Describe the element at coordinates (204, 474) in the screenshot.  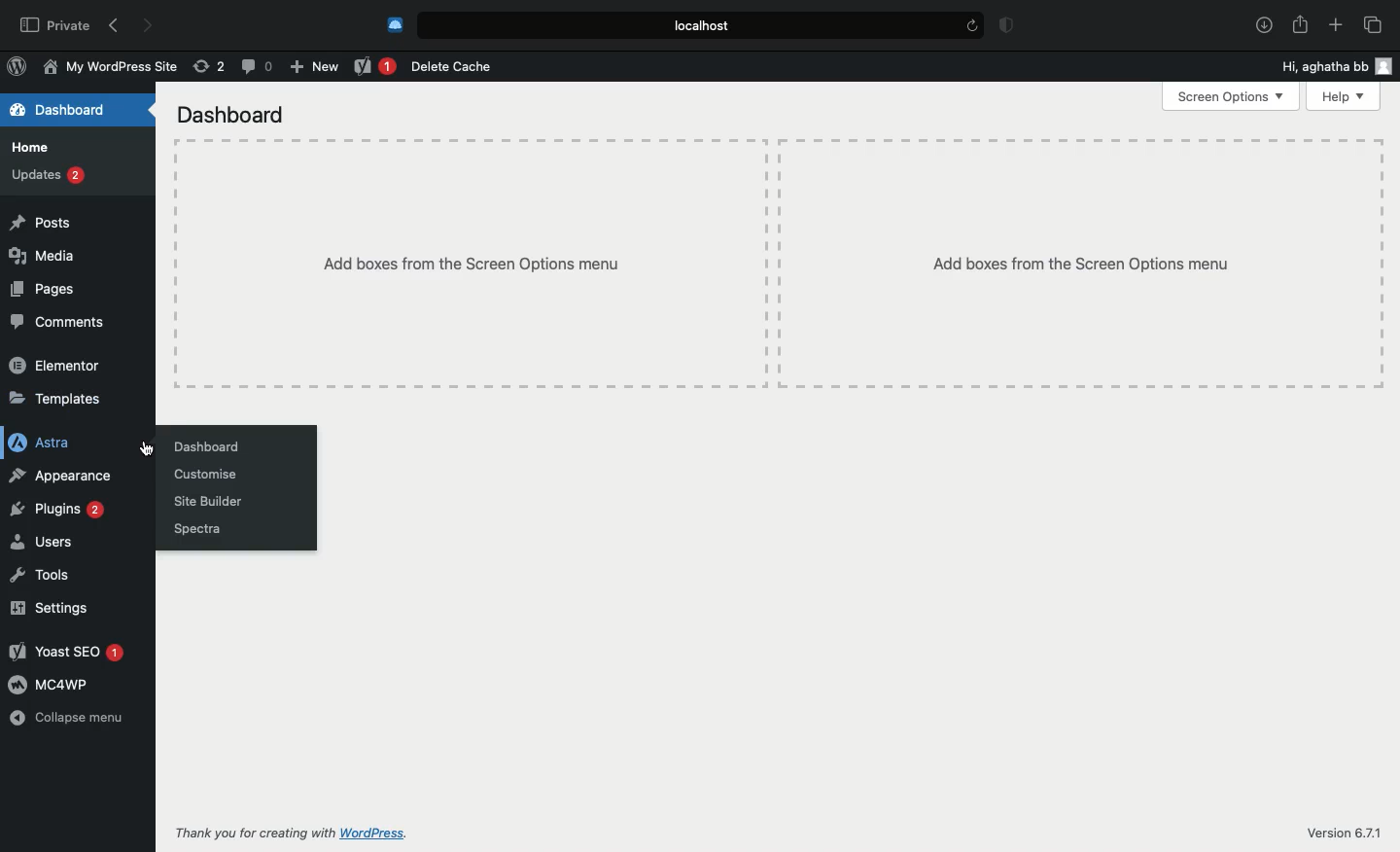
I see `Customize` at that location.